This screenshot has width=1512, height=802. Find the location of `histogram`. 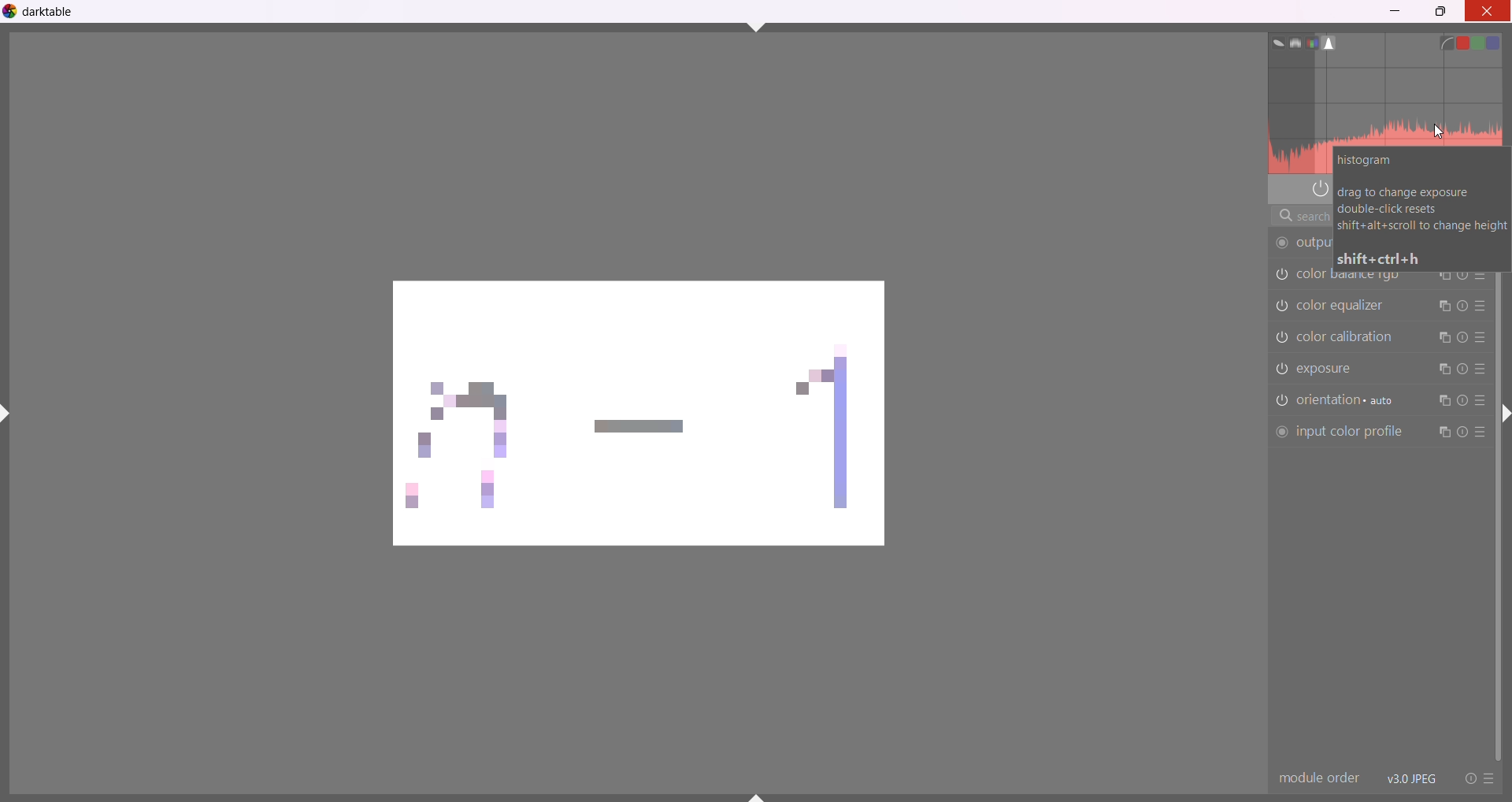

histogram is located at coordinates (1333, 43).